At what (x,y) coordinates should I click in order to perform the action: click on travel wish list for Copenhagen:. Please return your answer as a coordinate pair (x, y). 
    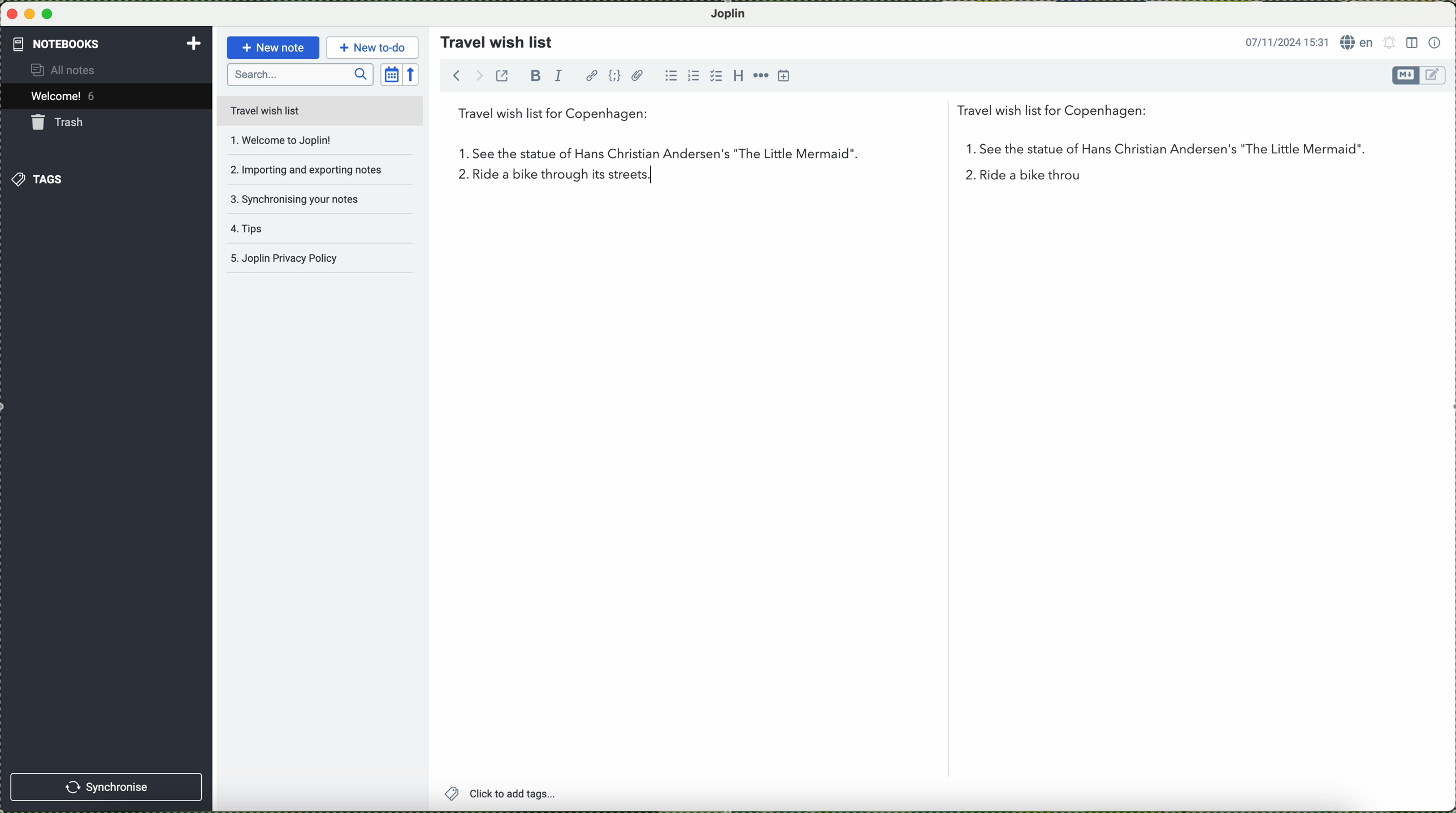
    Looking at the image, I should click on (809, 116).